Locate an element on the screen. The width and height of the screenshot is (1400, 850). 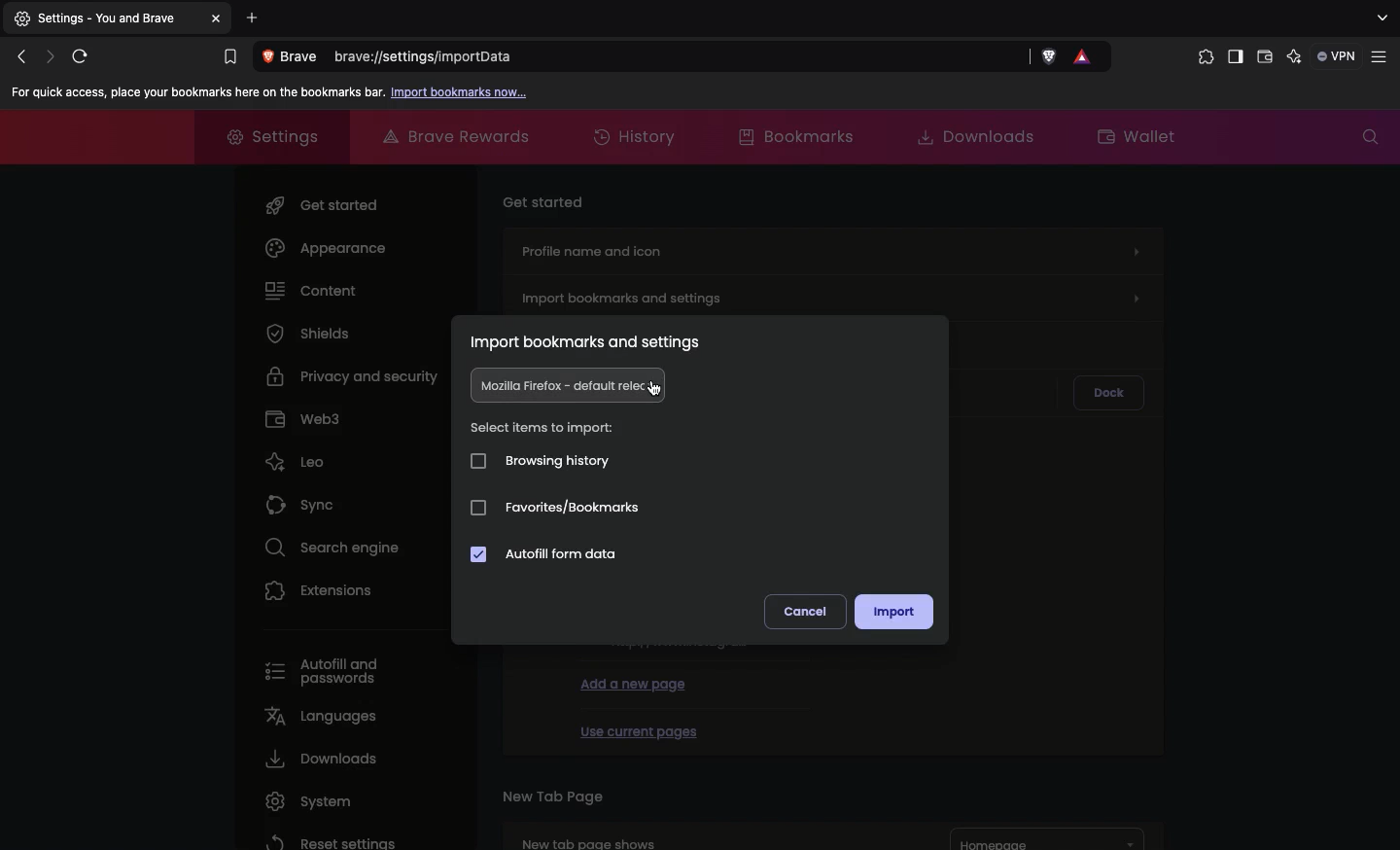
Select items to import is located at coordinates (540, 428).